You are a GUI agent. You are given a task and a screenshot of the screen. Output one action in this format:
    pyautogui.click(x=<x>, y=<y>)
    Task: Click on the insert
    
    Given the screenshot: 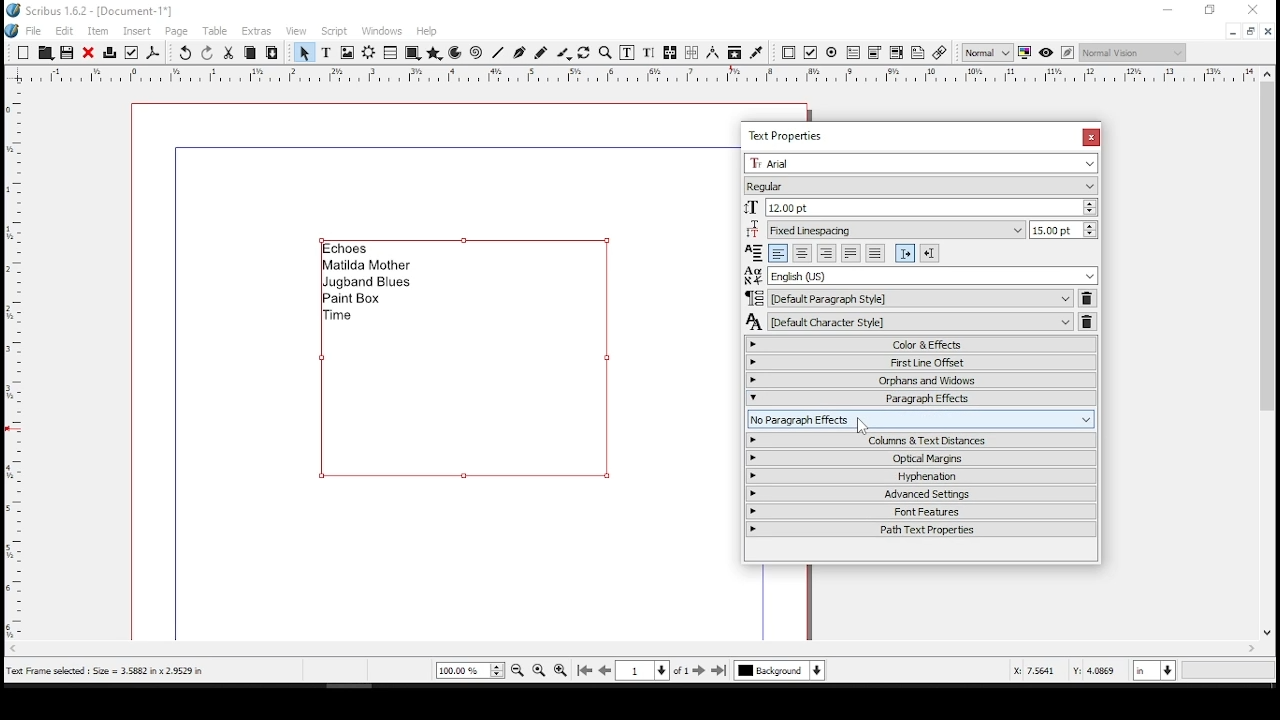 What is the action you would take?
    pyautogui.click(x=138, y=30)
    